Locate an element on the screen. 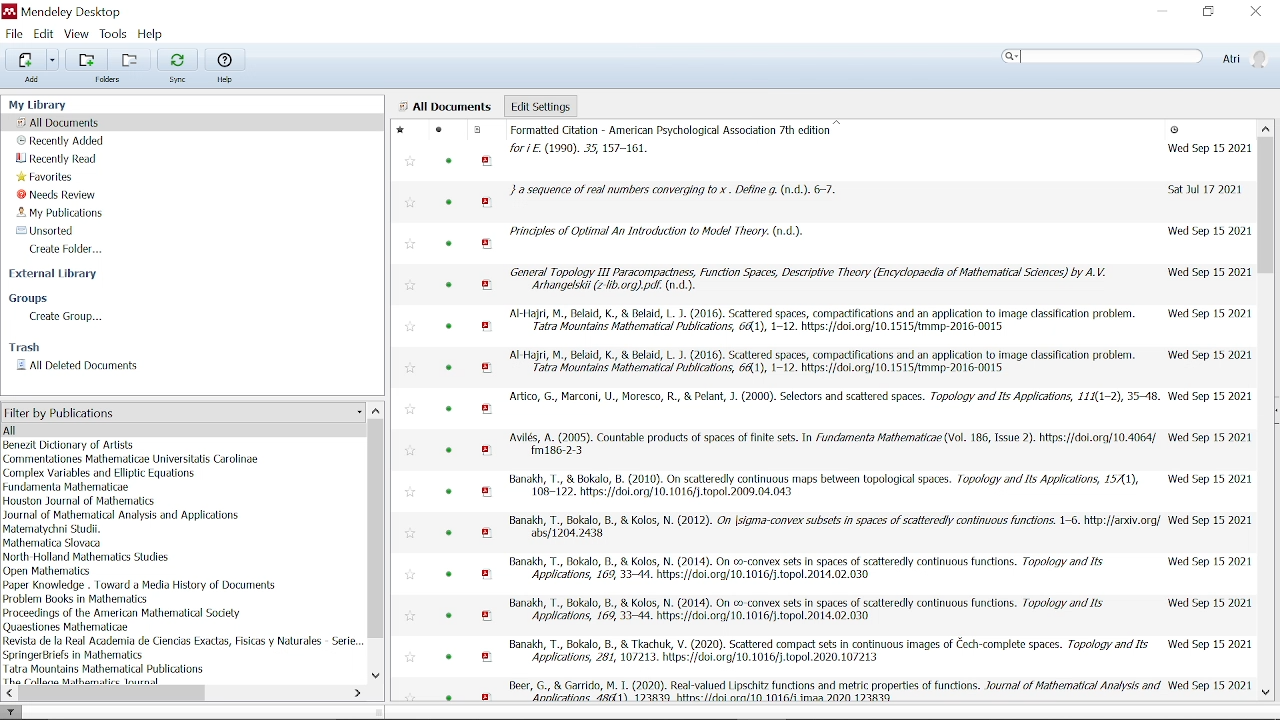 This screenshot has height=720, width=1280. date time is located at coordinates (1204, 189).